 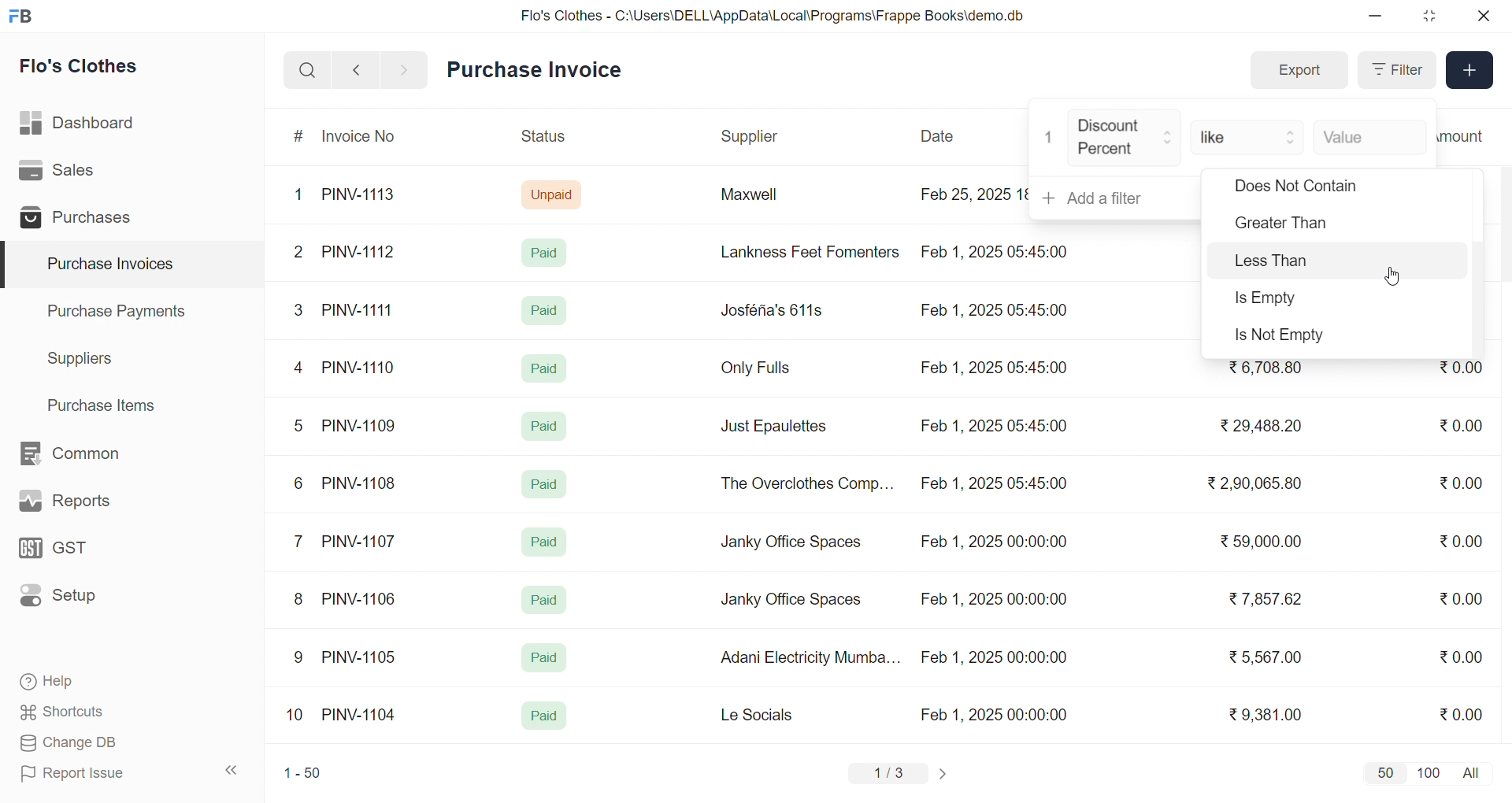 What do you see at coordinates (800, 252) in the screenshot?
I see `Lankness Feet Fomenters` at bounding box center [800, 252].